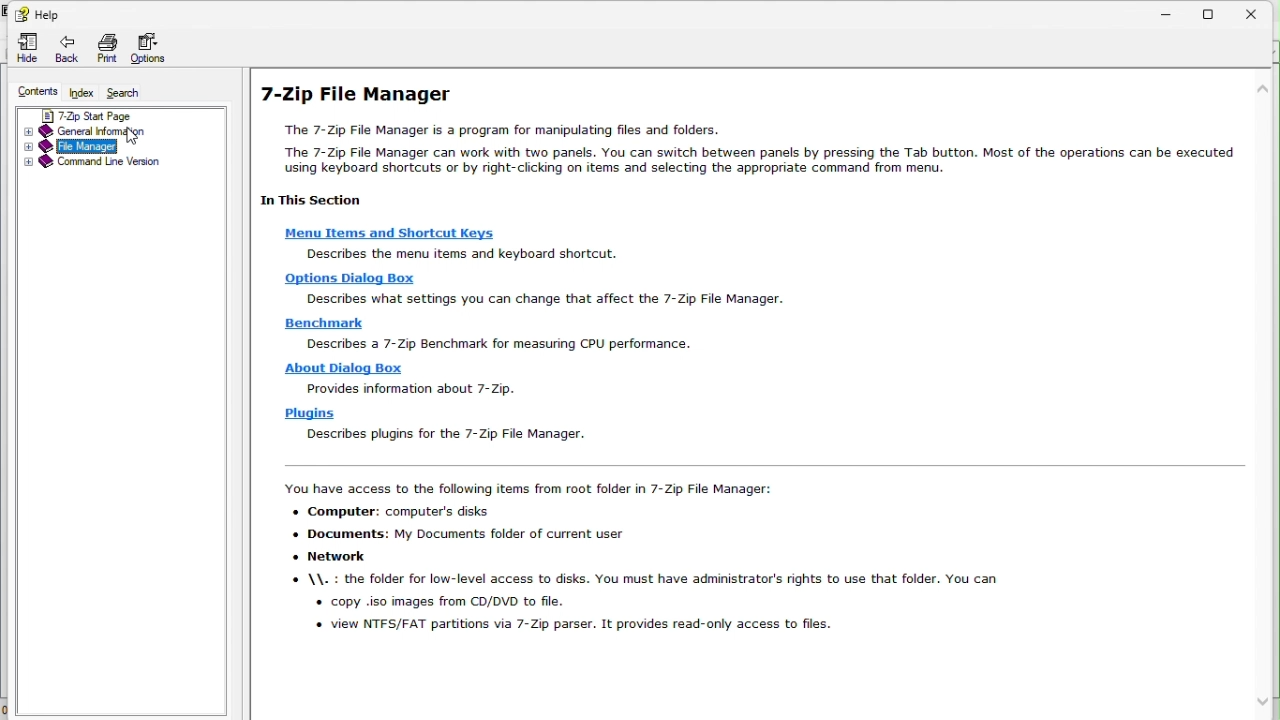  Describe the element at coordinates (500, 343) in the screenshot. I see `describe benchmark` at that location.